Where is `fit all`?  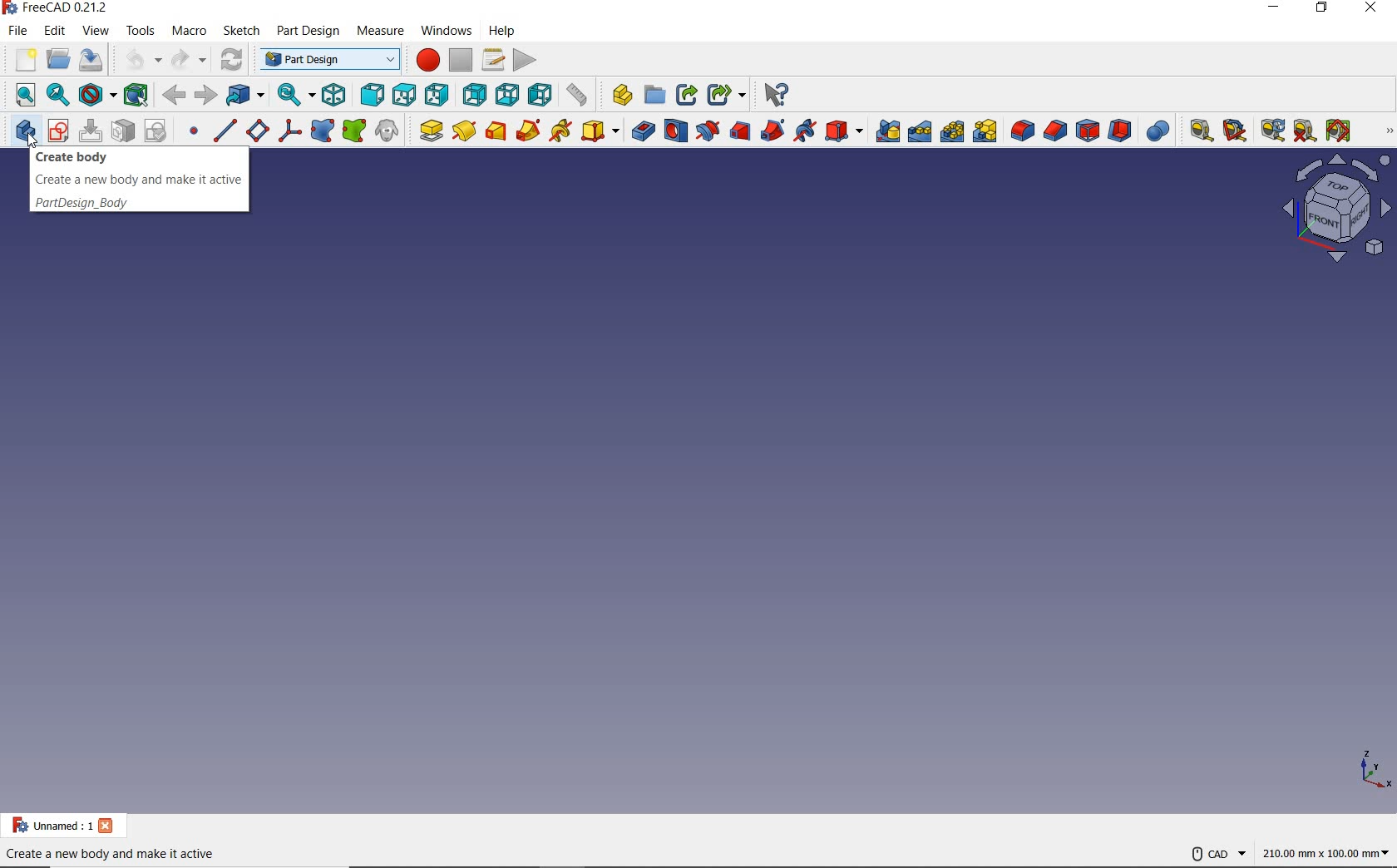
fit all is located at coordinates (23, 96).